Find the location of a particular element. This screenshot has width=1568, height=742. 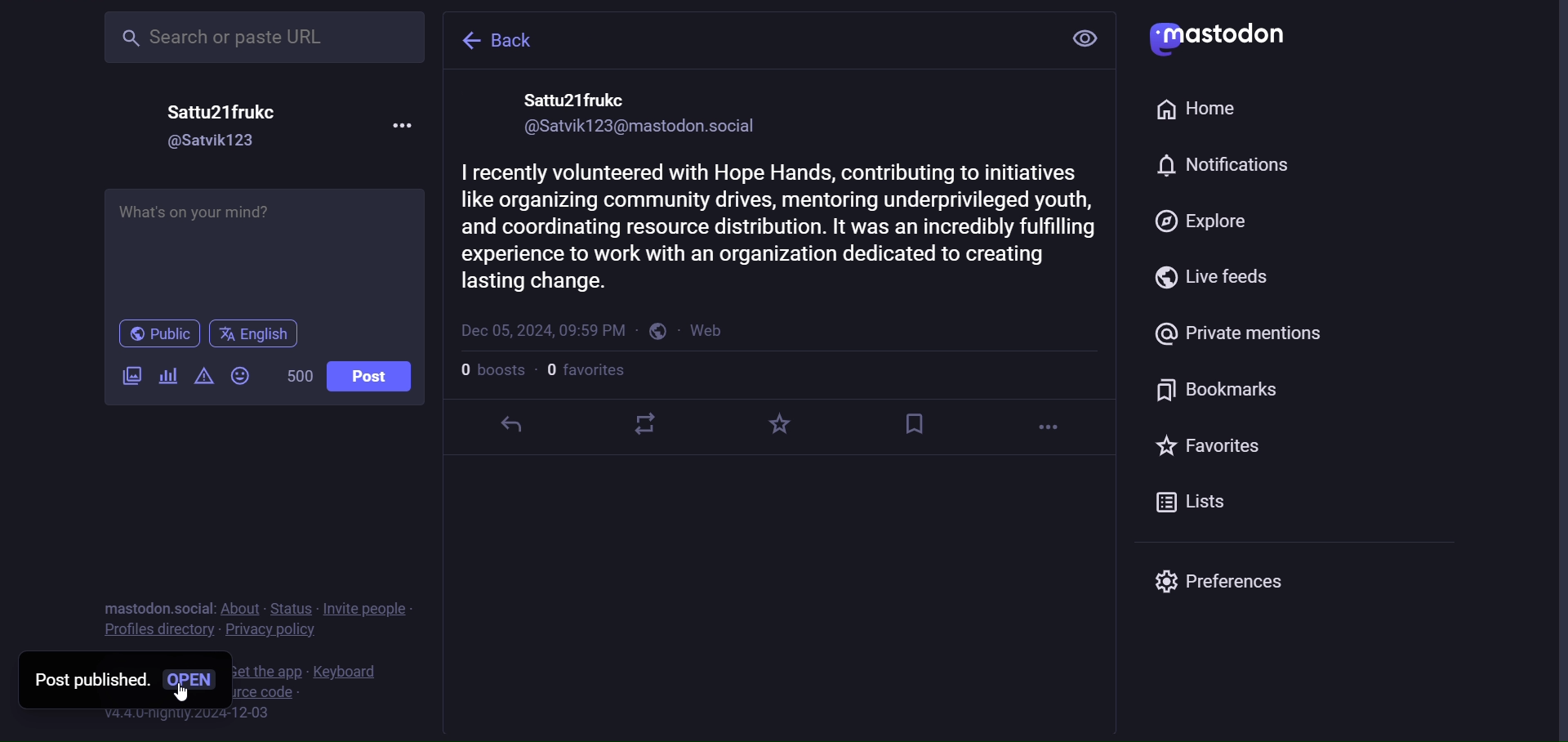

poll is located at coordinates (164, 377).